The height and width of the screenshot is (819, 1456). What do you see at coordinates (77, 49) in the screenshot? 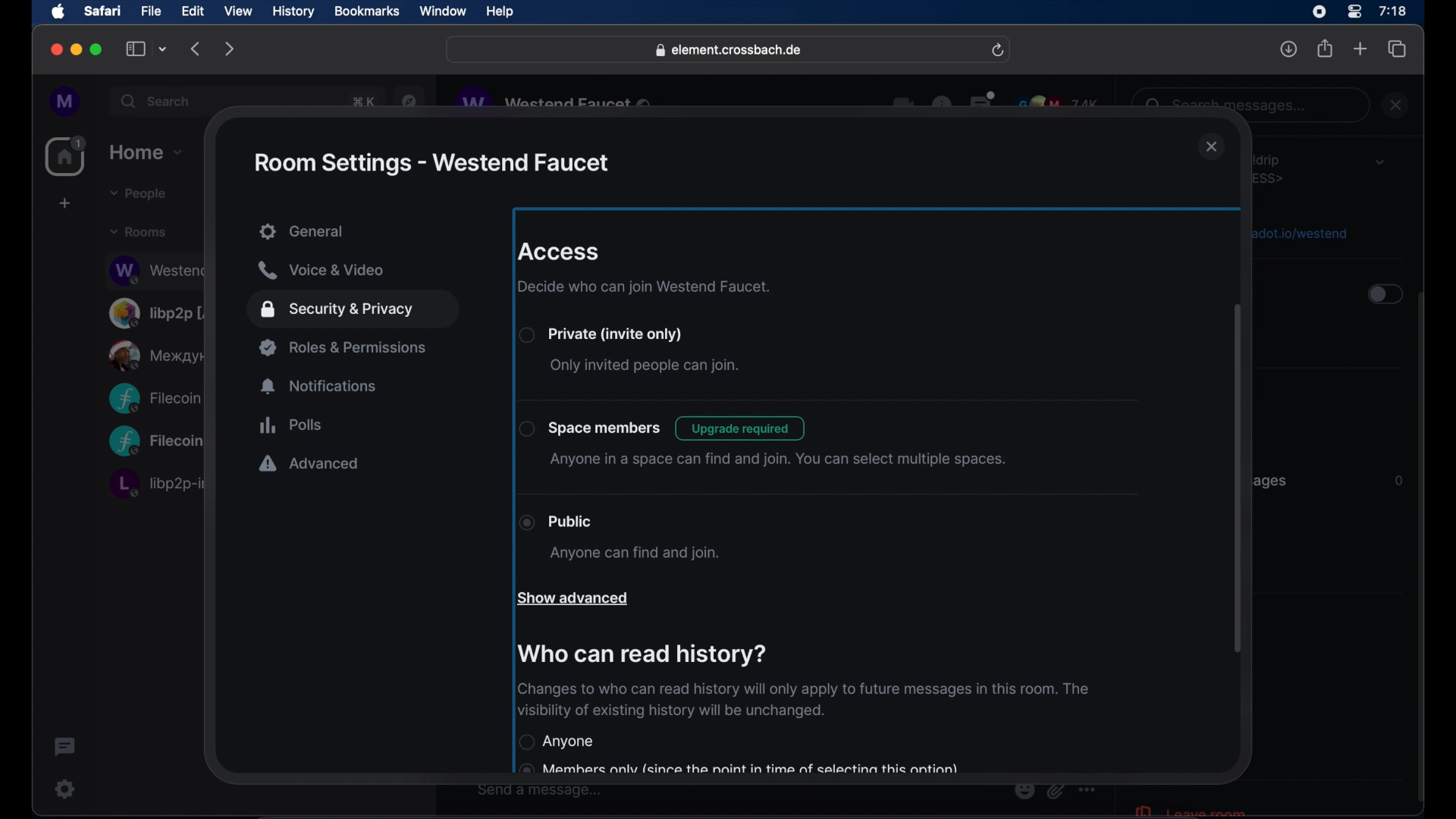
I see `minimize` at bounding box center [77, 49].